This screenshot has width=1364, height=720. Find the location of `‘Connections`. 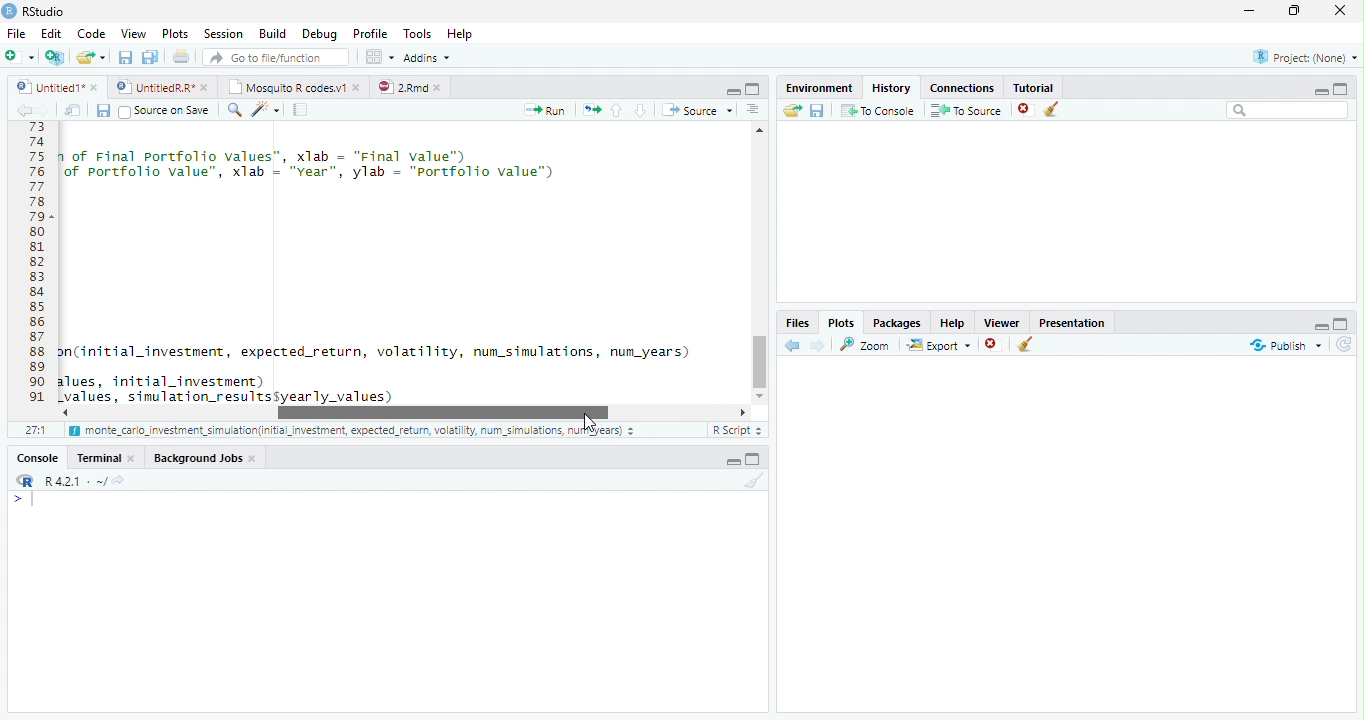

‘Connections is located at coordinates (959, 86).